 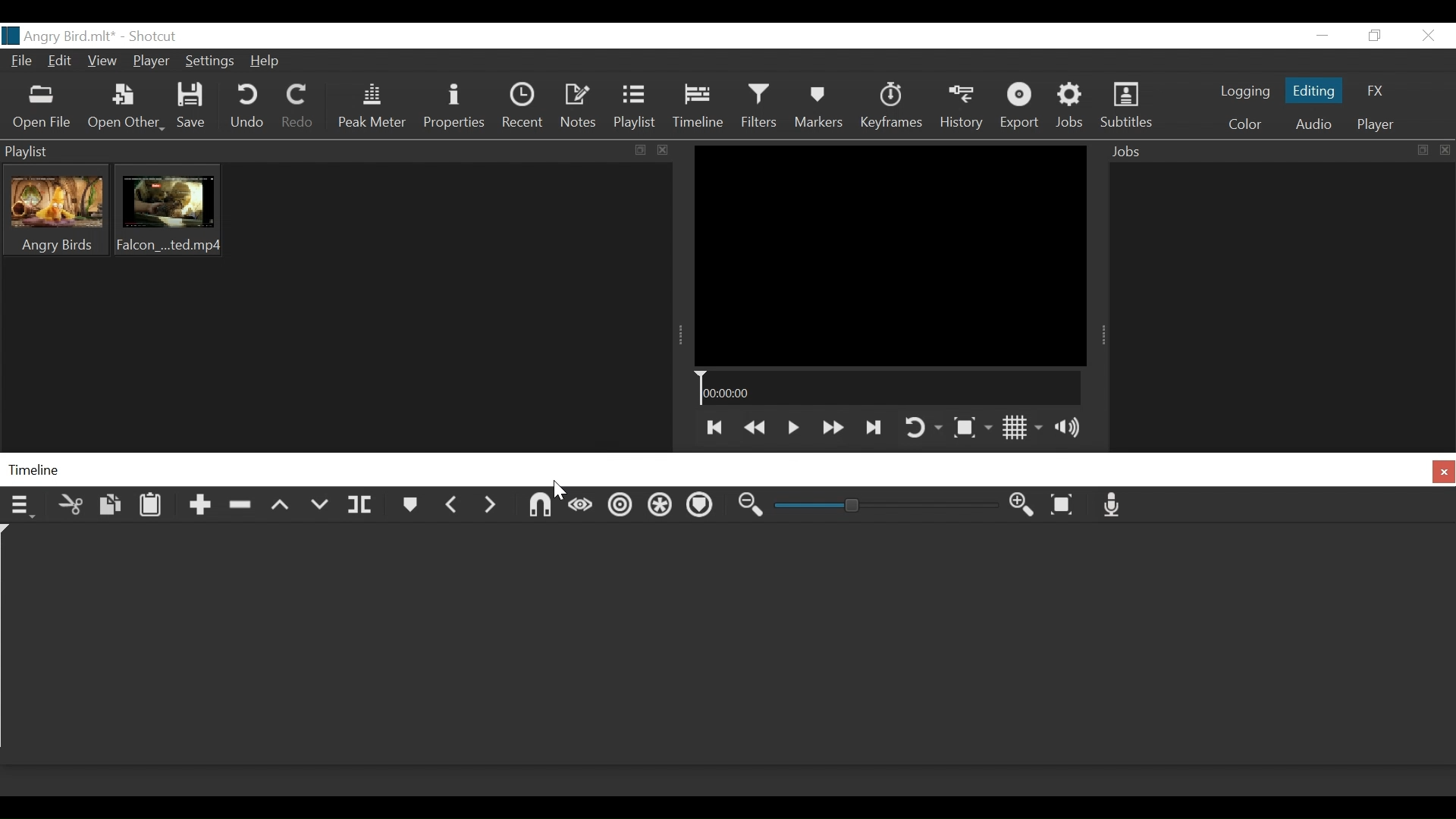 What do you see at coordinates (890, 106) in the screenshot?
I see `Keyframes` at bounding box center [890, 106].